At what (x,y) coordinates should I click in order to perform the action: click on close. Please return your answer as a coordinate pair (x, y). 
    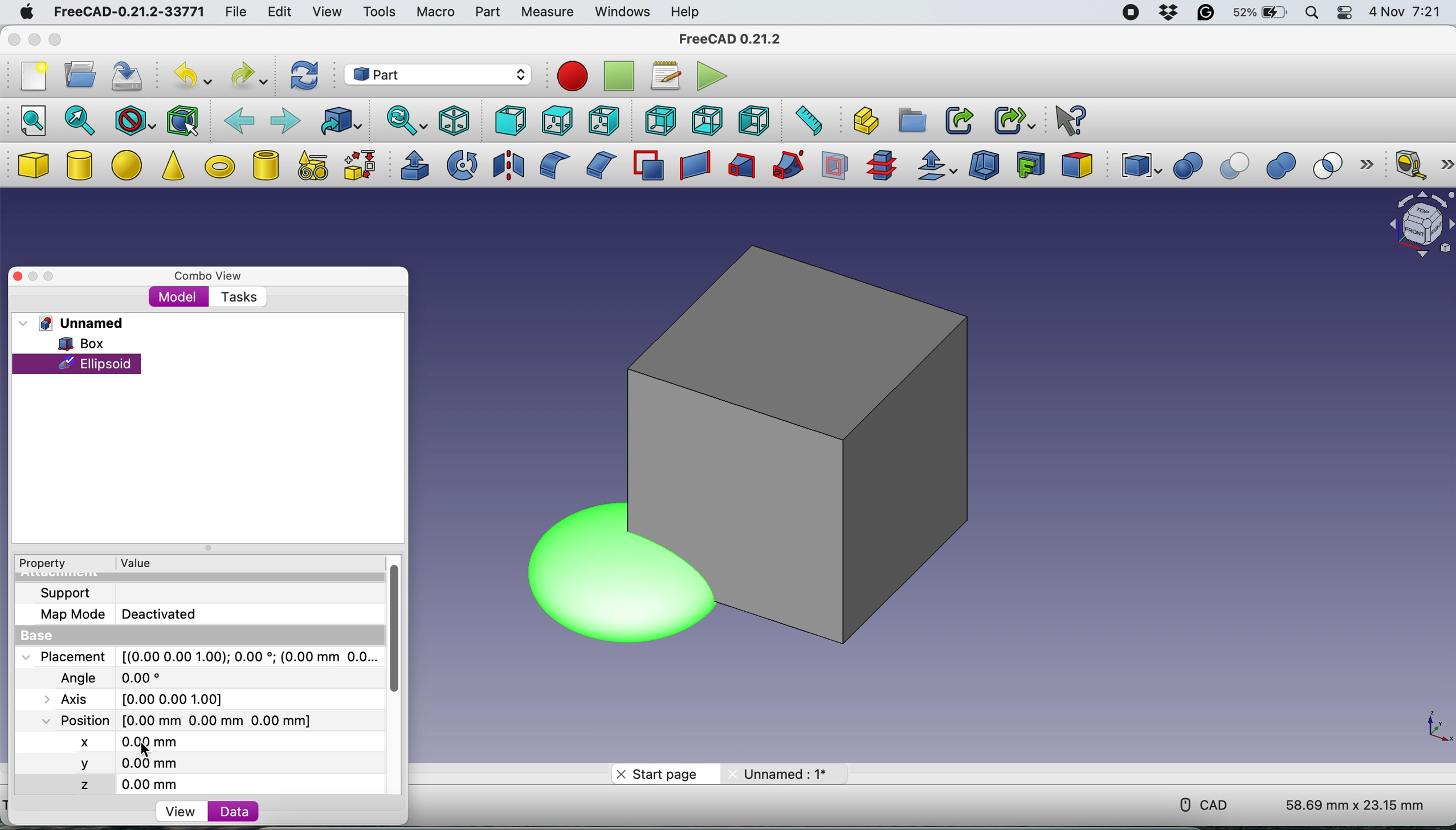
    Looking at the image, I should click on (18, 276).